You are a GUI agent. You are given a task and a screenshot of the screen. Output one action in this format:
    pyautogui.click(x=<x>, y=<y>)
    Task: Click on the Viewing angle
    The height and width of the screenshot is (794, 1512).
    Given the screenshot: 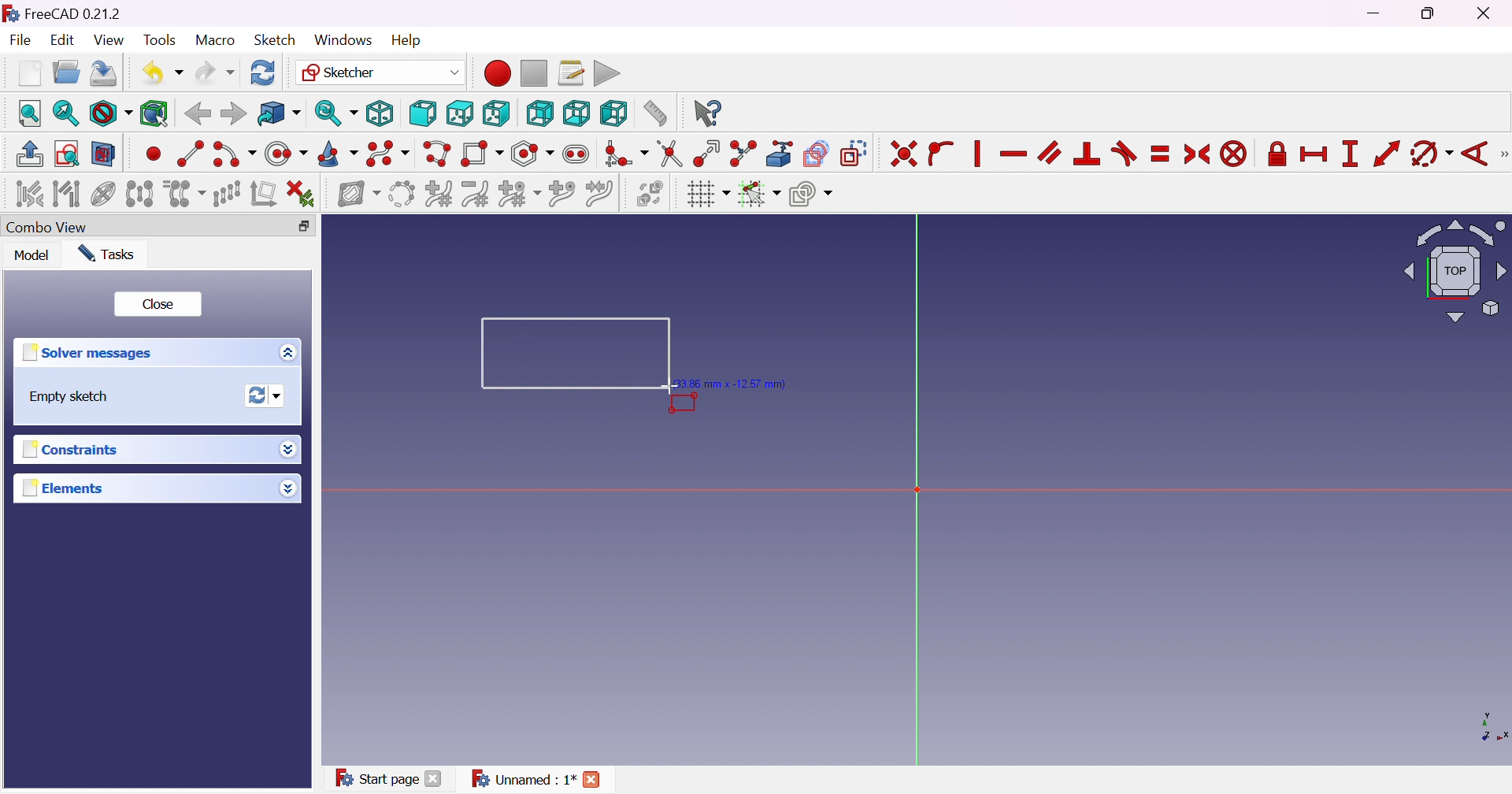 What is the action you would take?
    pyautogui.click(x=1451, y=270)
    